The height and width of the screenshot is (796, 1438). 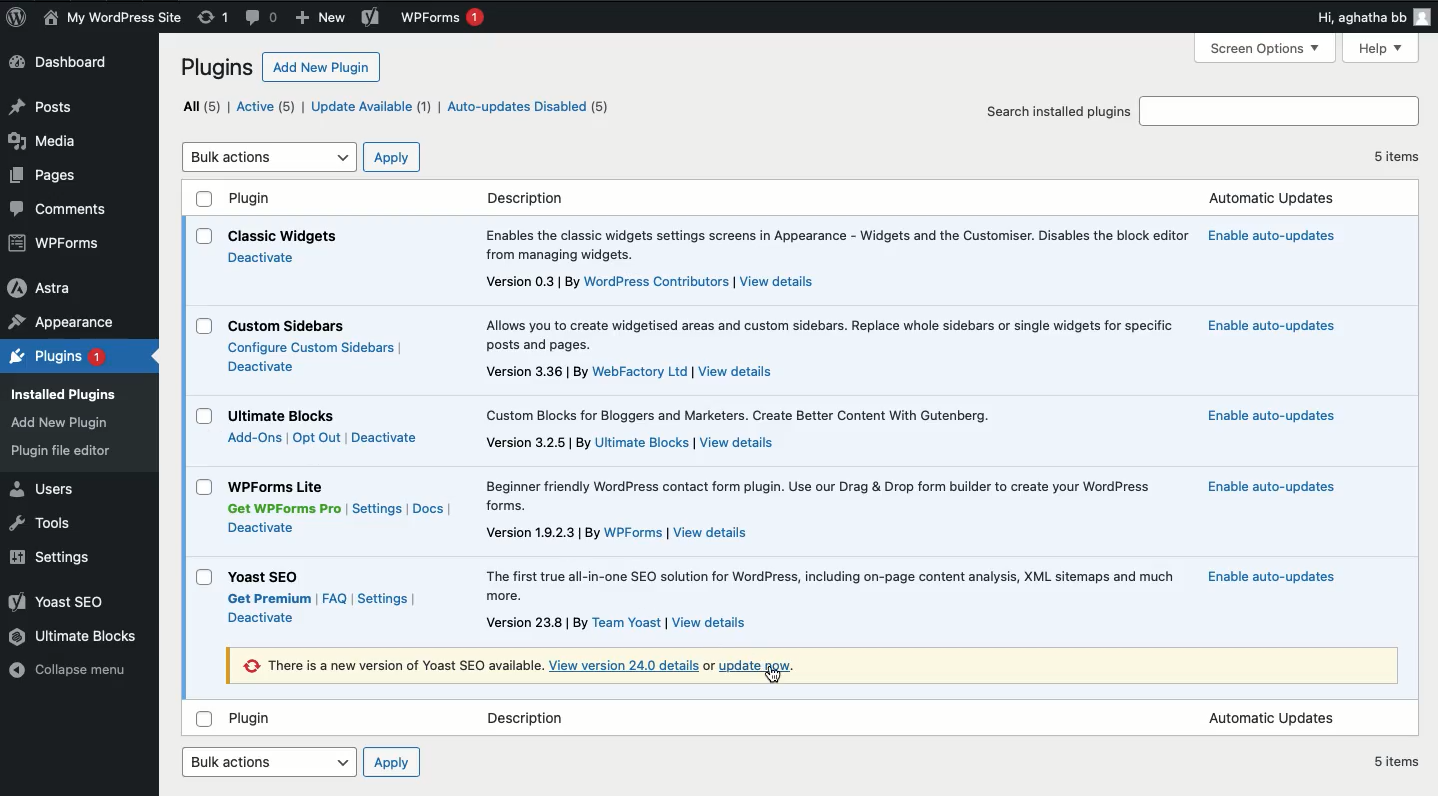 What do you see at coordinates (323, 17) in the screenshot?
I see `New` at bounding box center [323, 17].